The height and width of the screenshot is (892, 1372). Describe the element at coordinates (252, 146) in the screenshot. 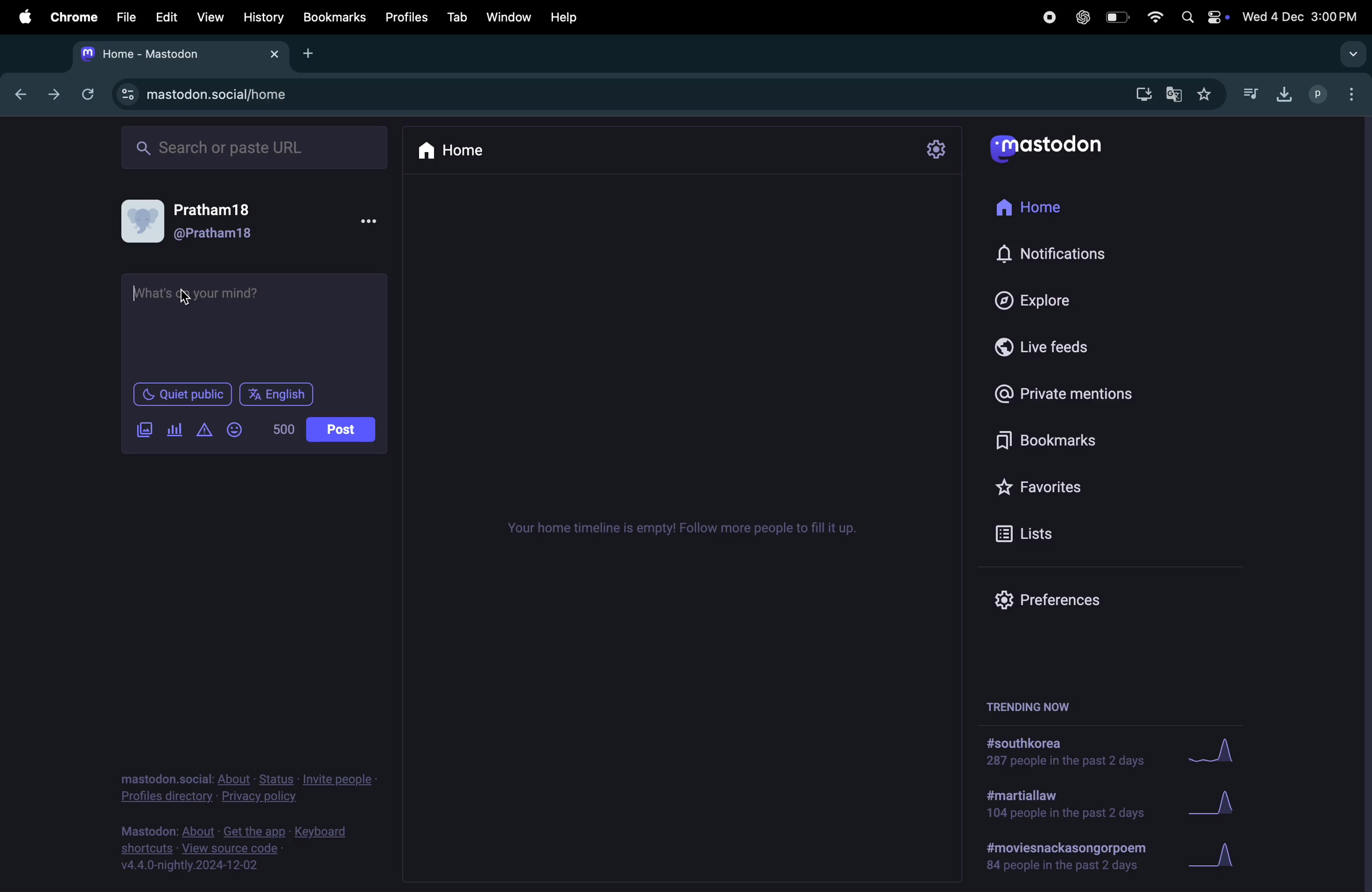

I see `search bar` at that location.